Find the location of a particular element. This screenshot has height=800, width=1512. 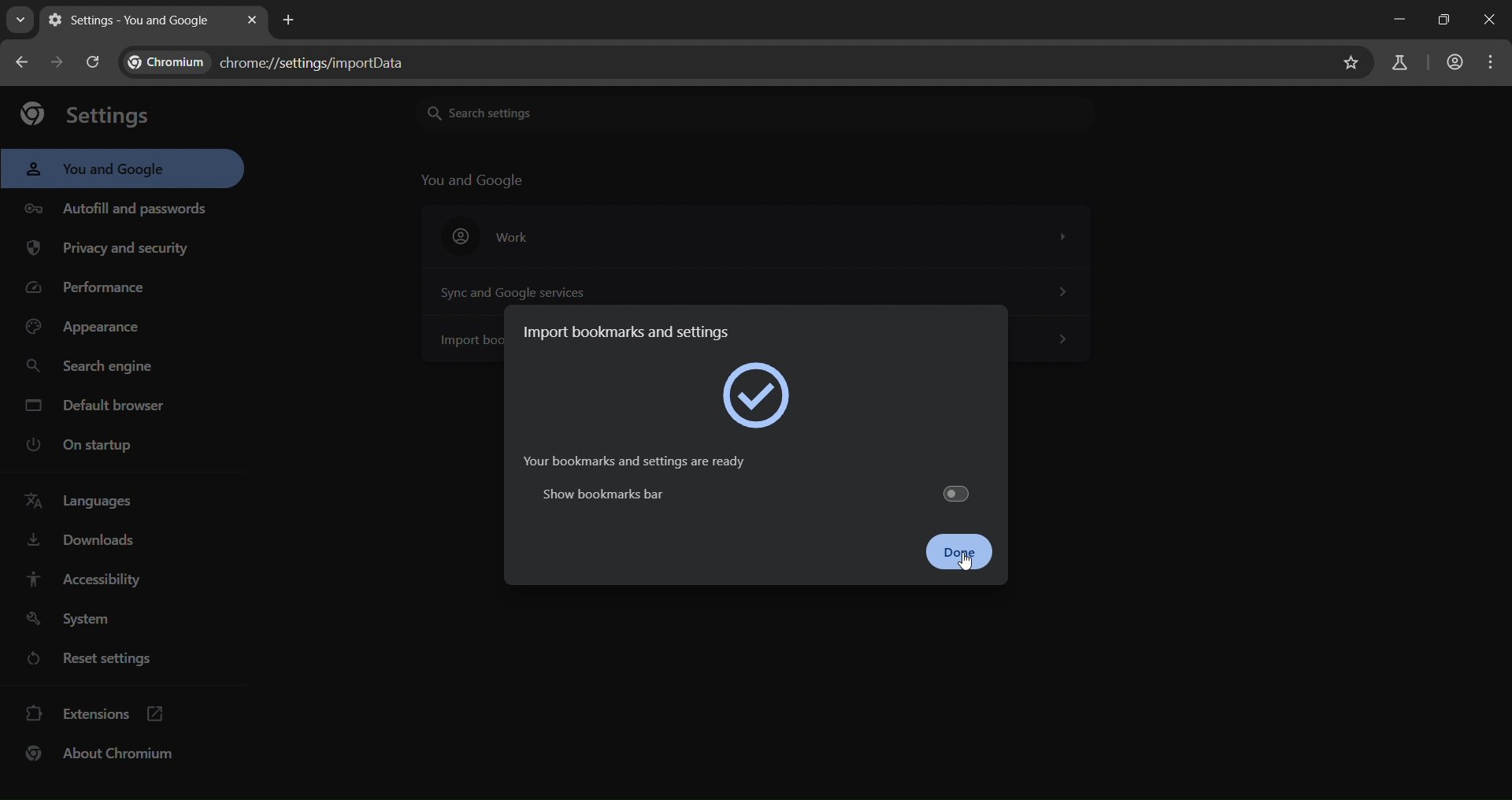

Cursor is located at coordinates (965, 563).